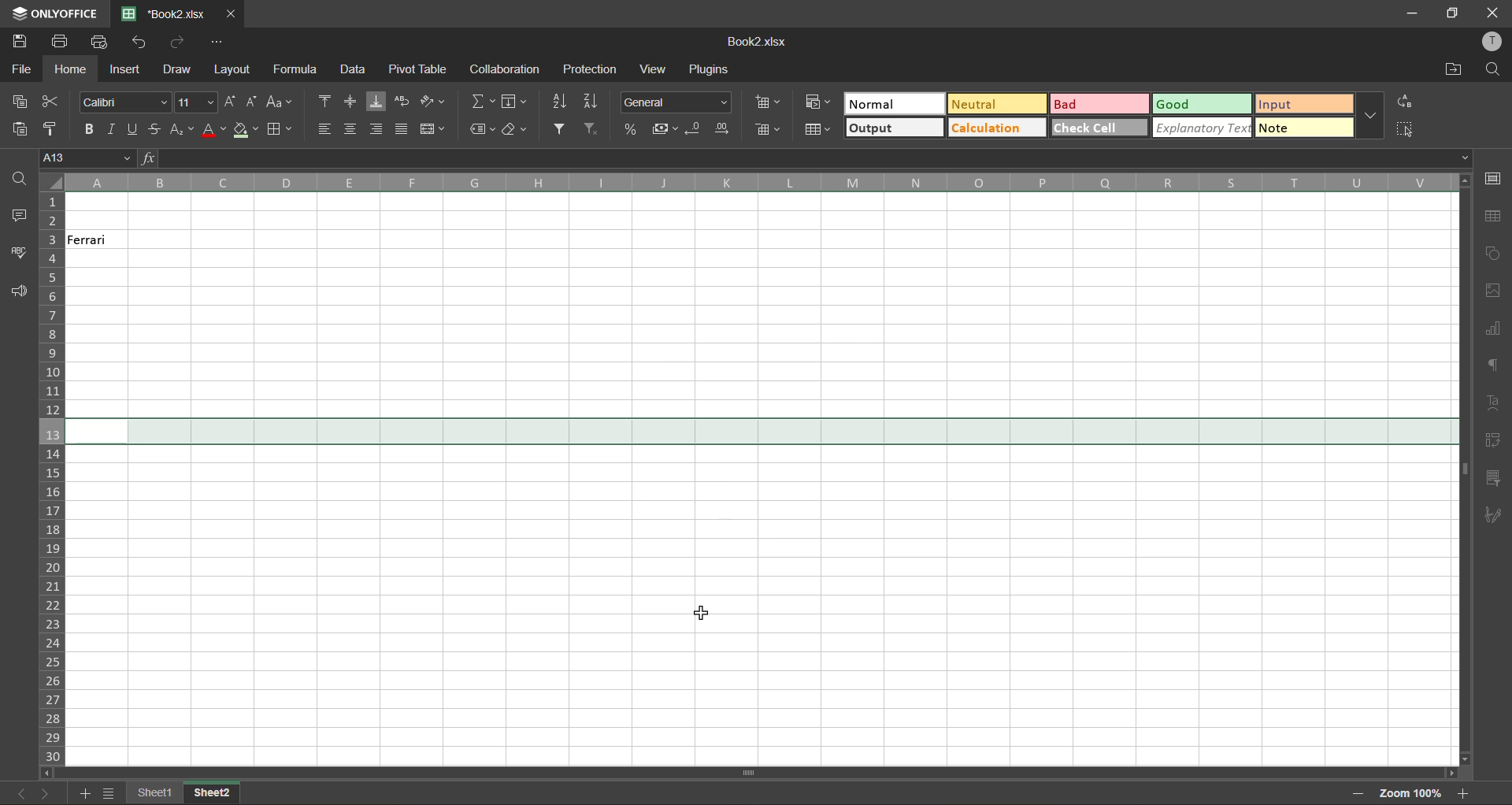  Describe the element at coordinates (23, 69) in the screenshot. I see `file` at that location.